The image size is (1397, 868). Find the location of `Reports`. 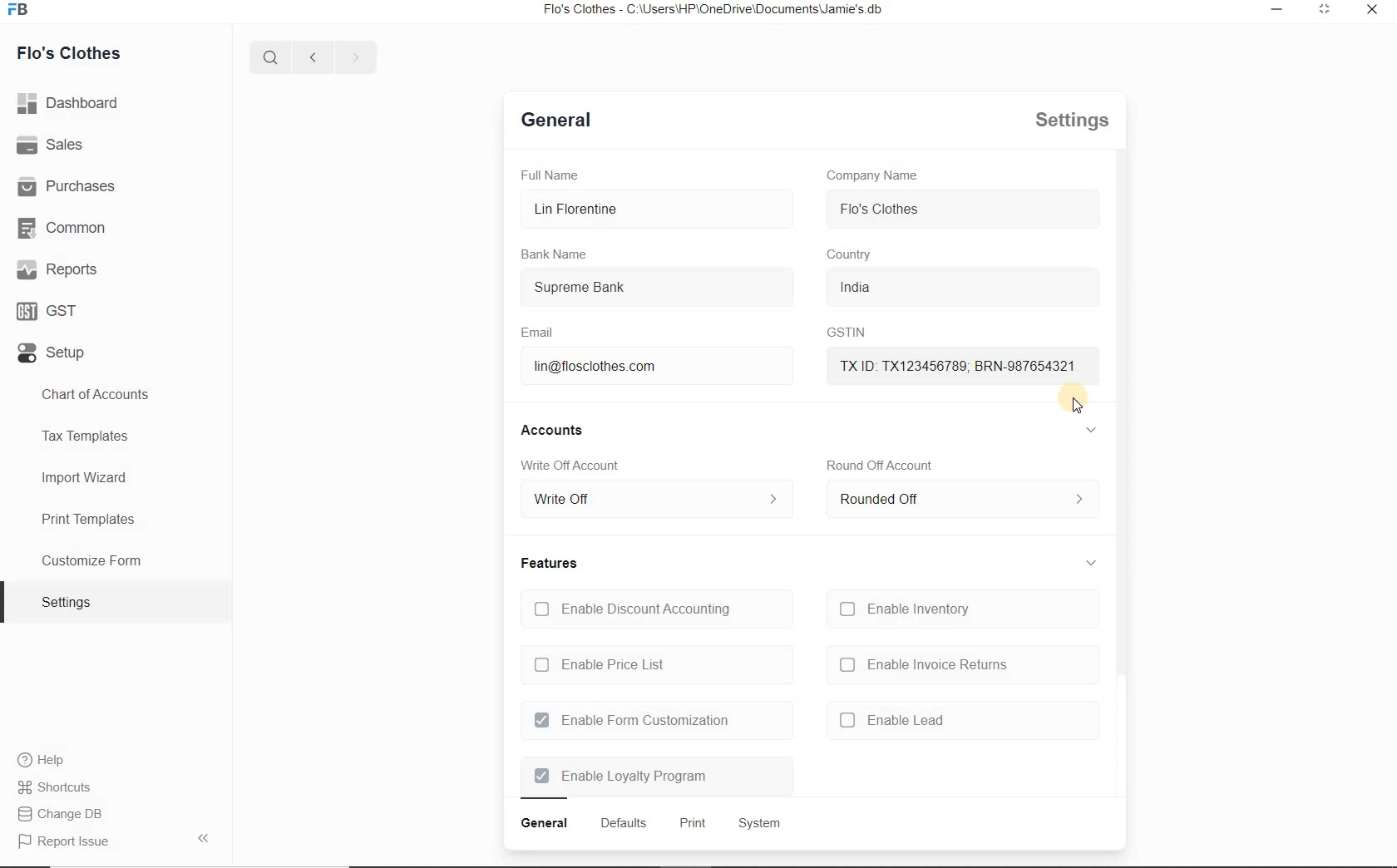

Reports is located at coordinates (62, 269).